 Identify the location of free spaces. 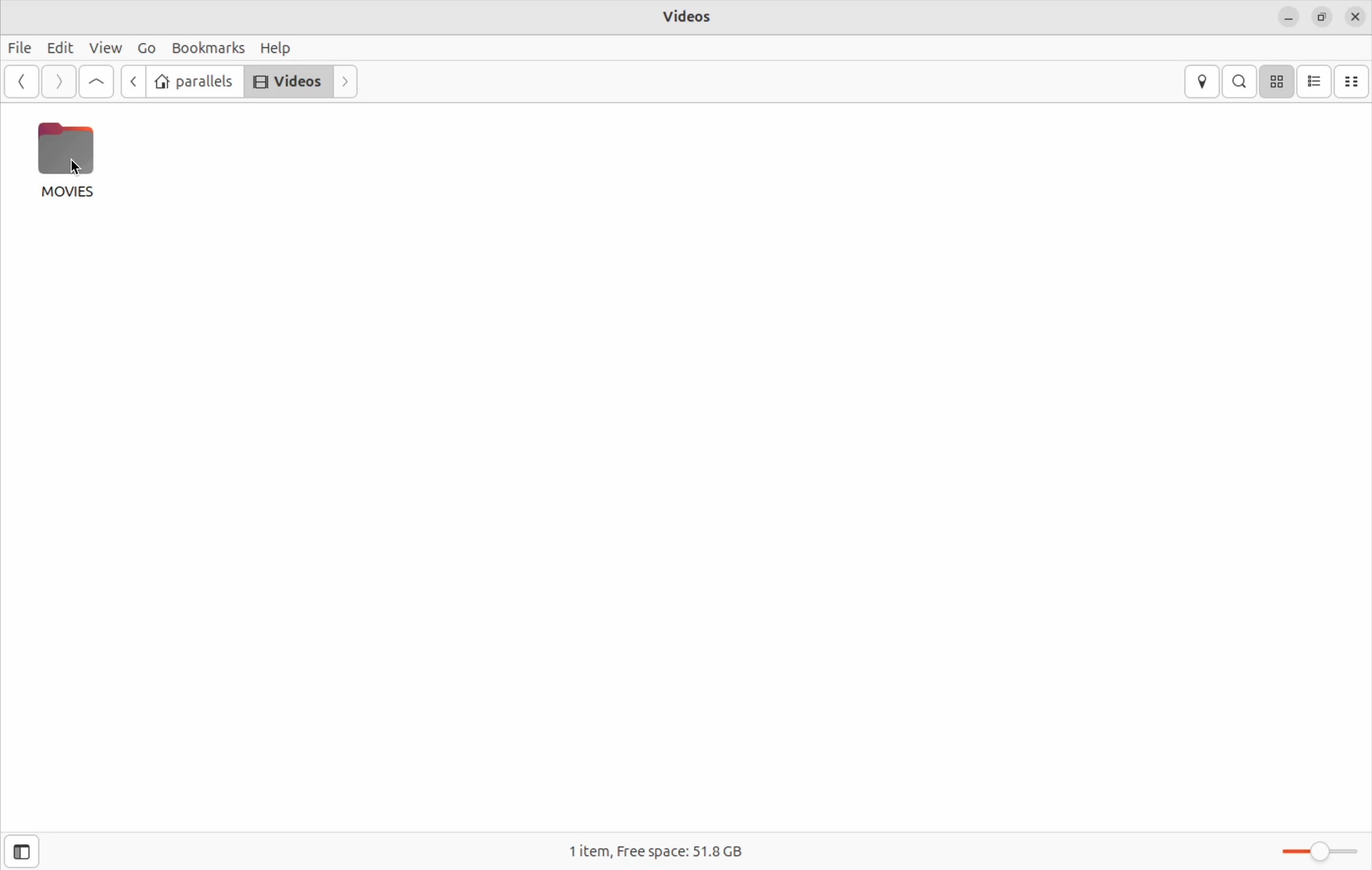
(667, 853).